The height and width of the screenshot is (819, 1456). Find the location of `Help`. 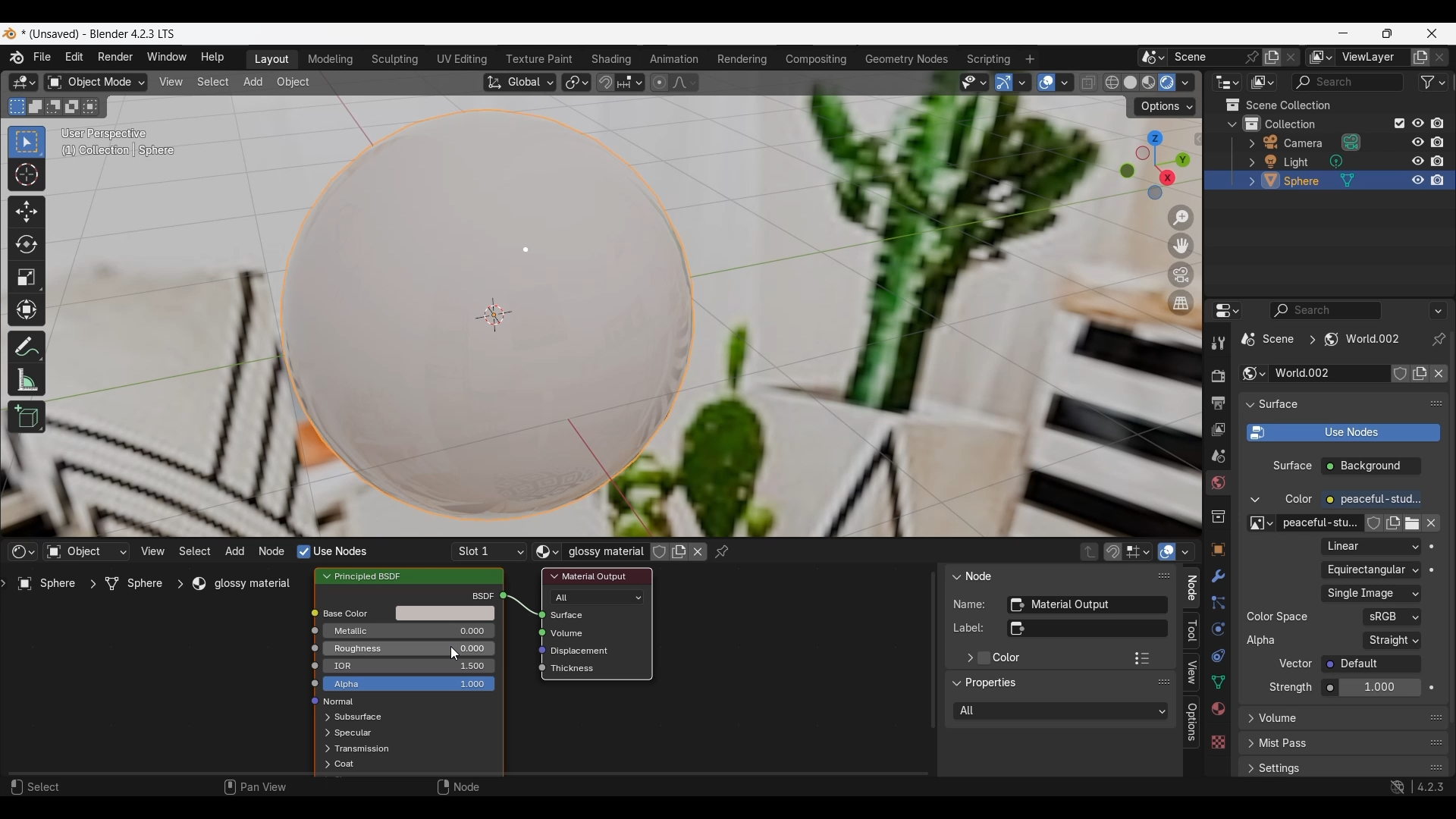

Help is located at coordinates (213, 58).